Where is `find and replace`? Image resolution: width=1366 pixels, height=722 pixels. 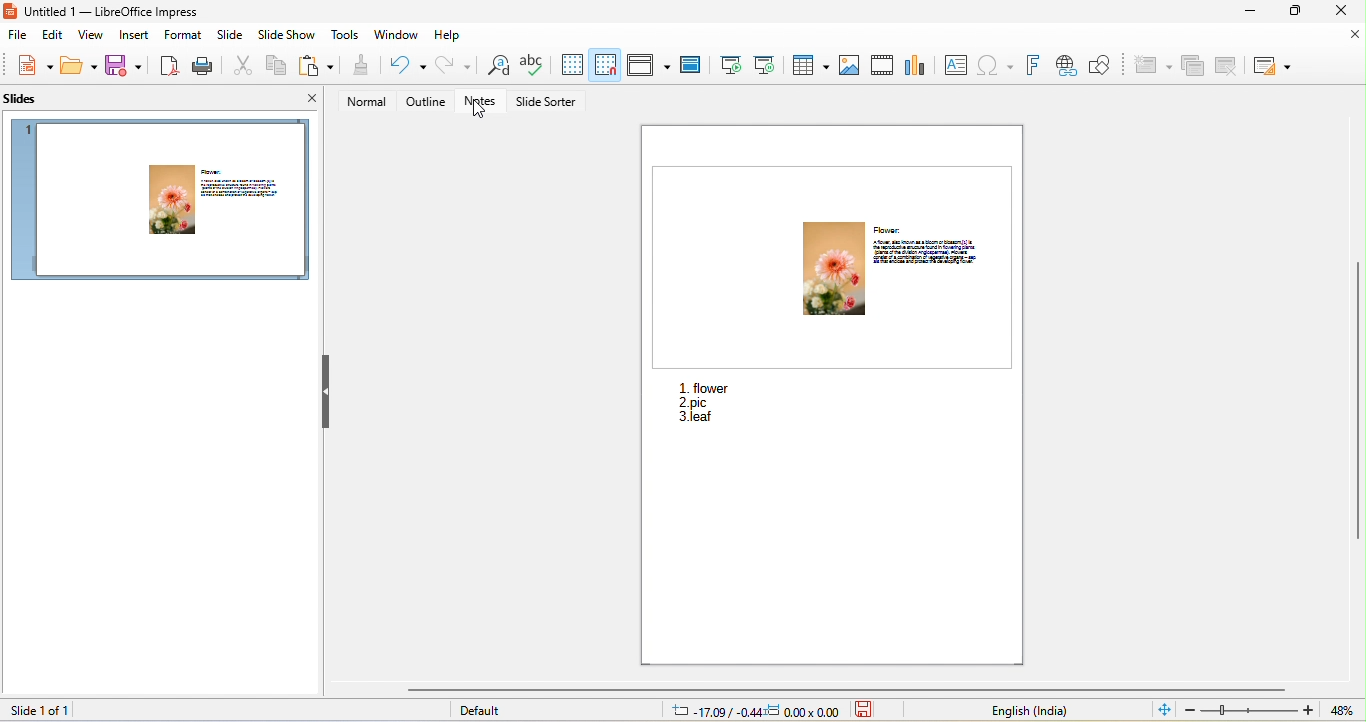
find and replace is located at coordinates (497, 65).